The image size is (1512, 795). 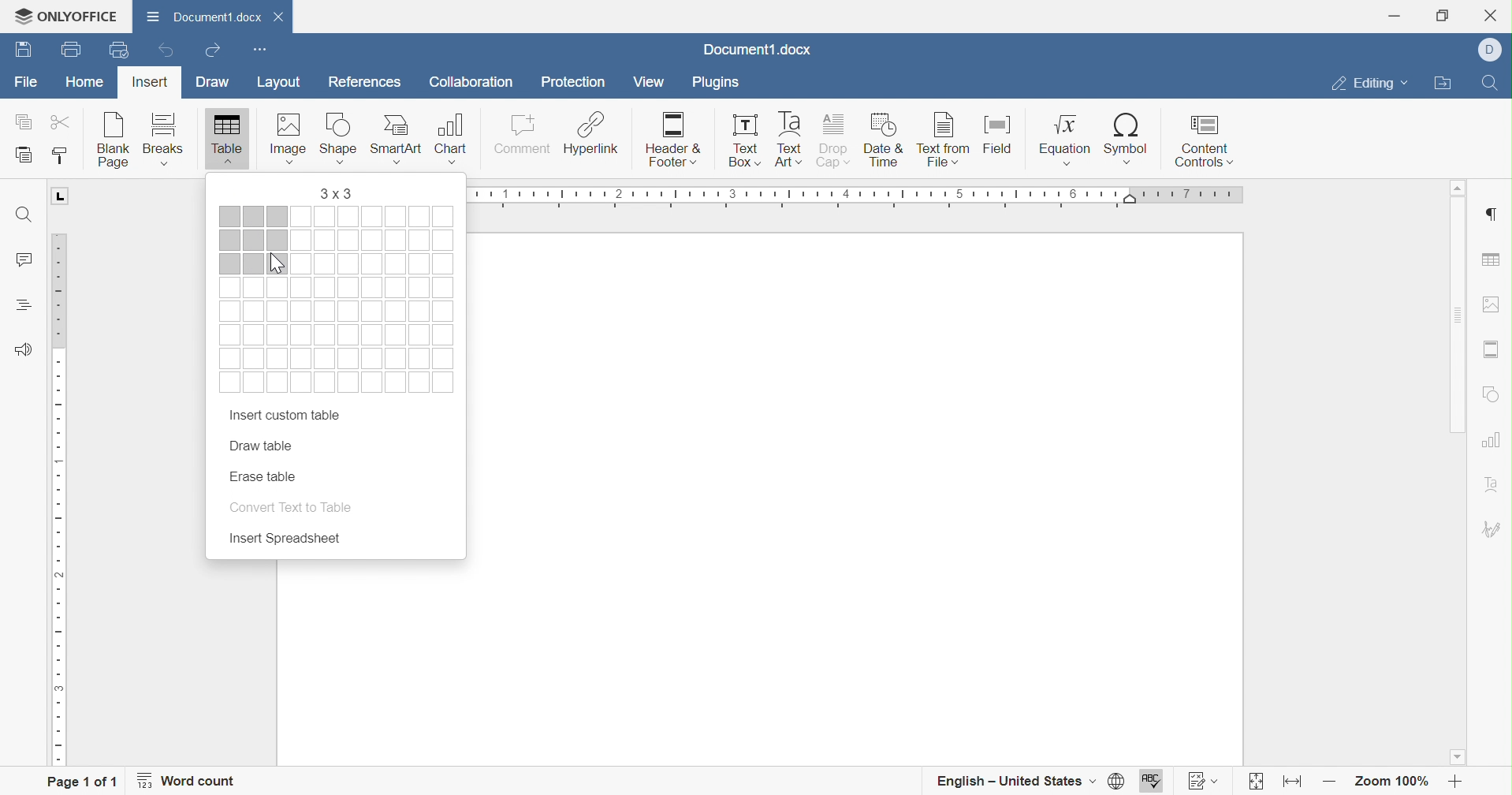 What do you see at coordinates (592, 135) in the screenshot?
I see `Hyperlink` at bounding box center [592, 135].